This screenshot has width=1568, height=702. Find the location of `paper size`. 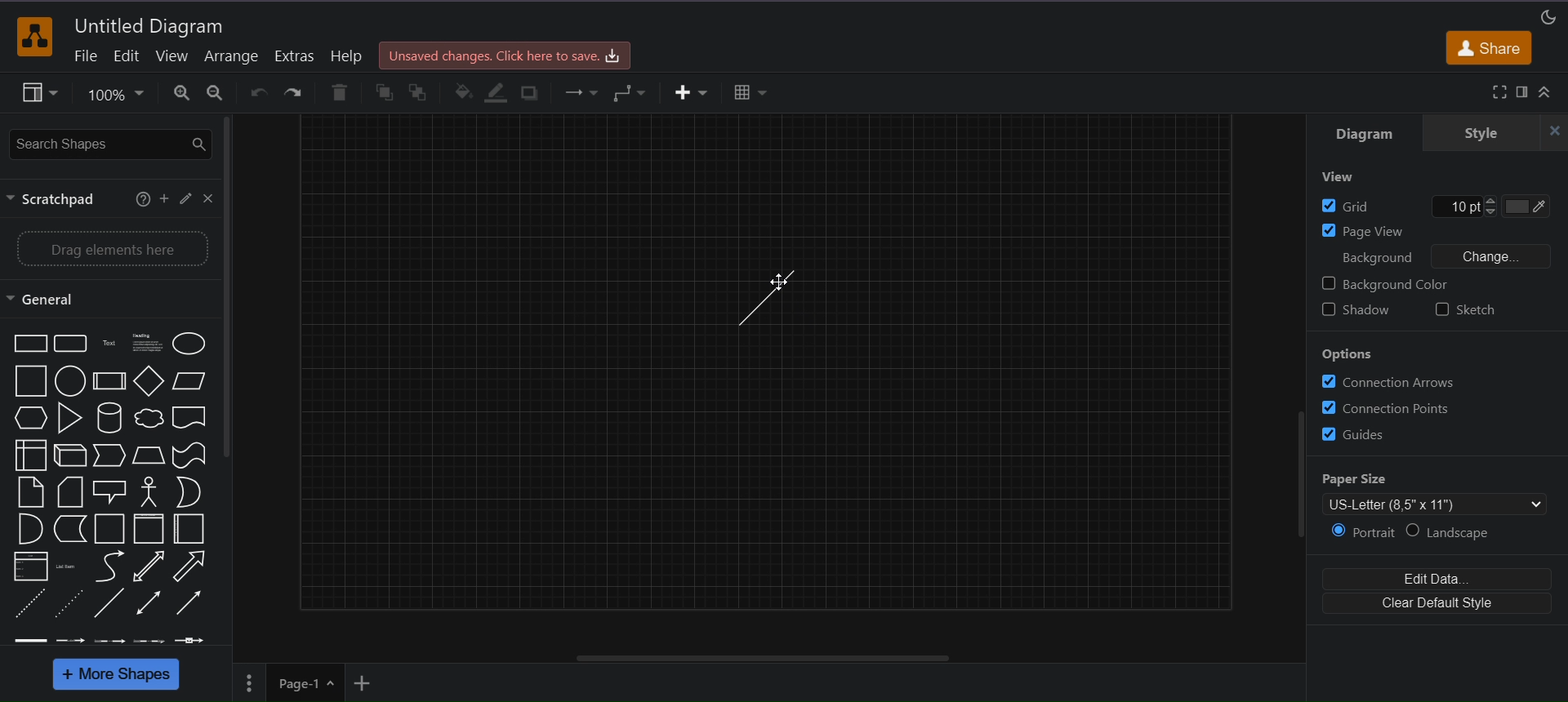

paper size is located at coordinates (1438, 494).